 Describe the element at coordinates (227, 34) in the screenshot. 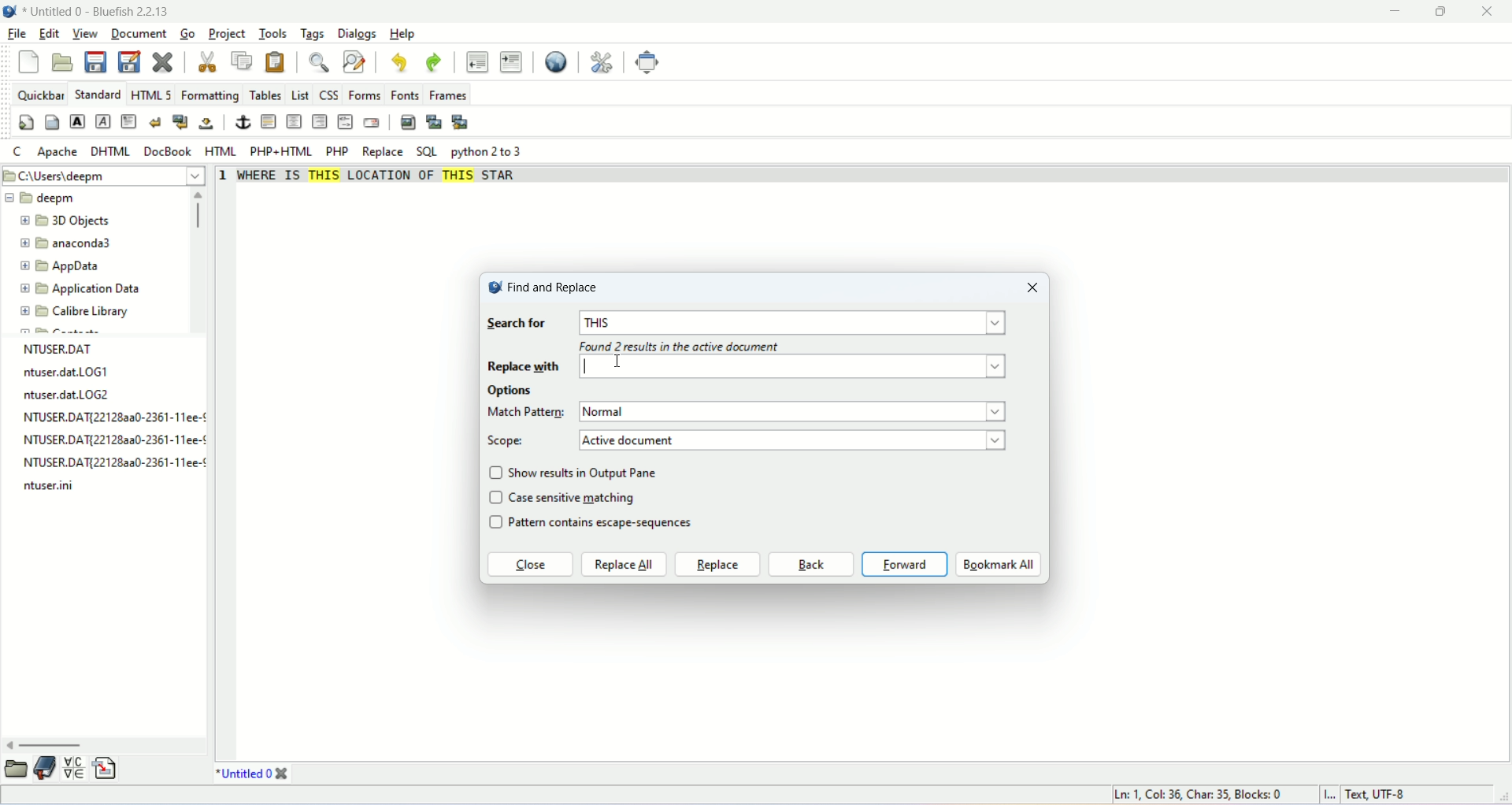

I see `project` at that location.